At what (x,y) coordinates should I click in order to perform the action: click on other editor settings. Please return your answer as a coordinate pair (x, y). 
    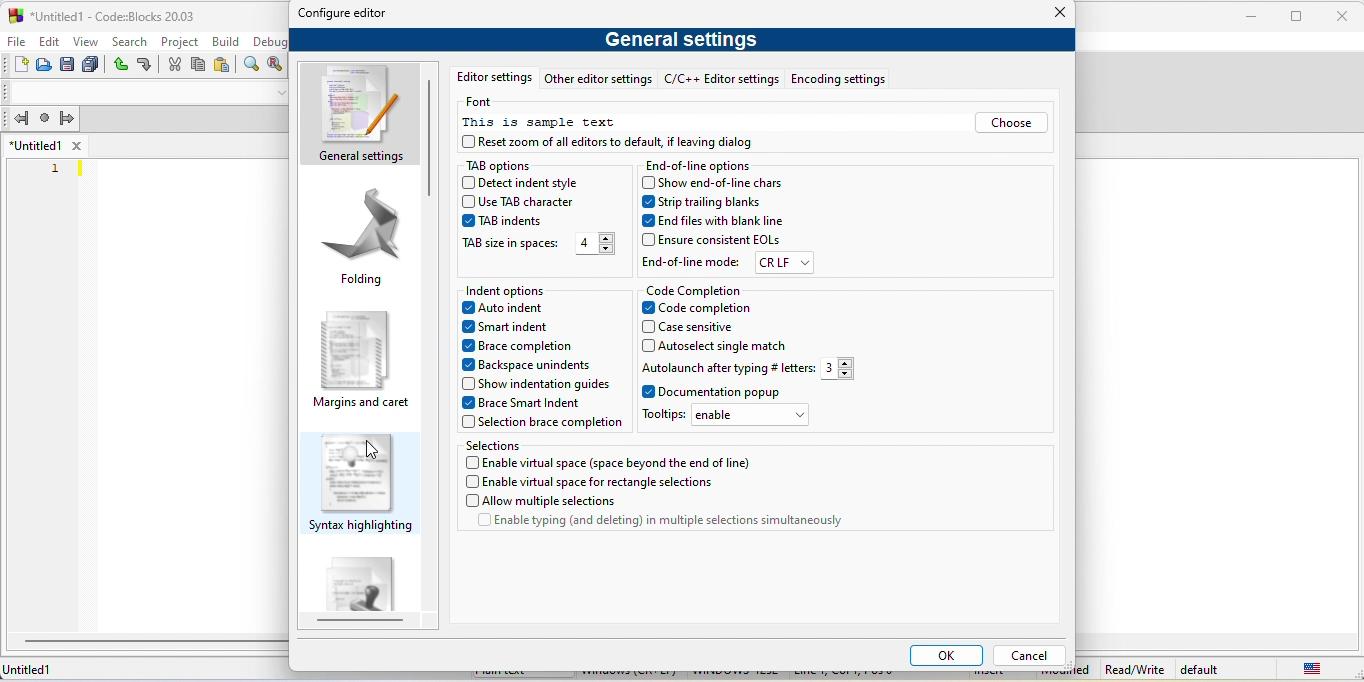
    Looking at the image, I should click on (597, 78).